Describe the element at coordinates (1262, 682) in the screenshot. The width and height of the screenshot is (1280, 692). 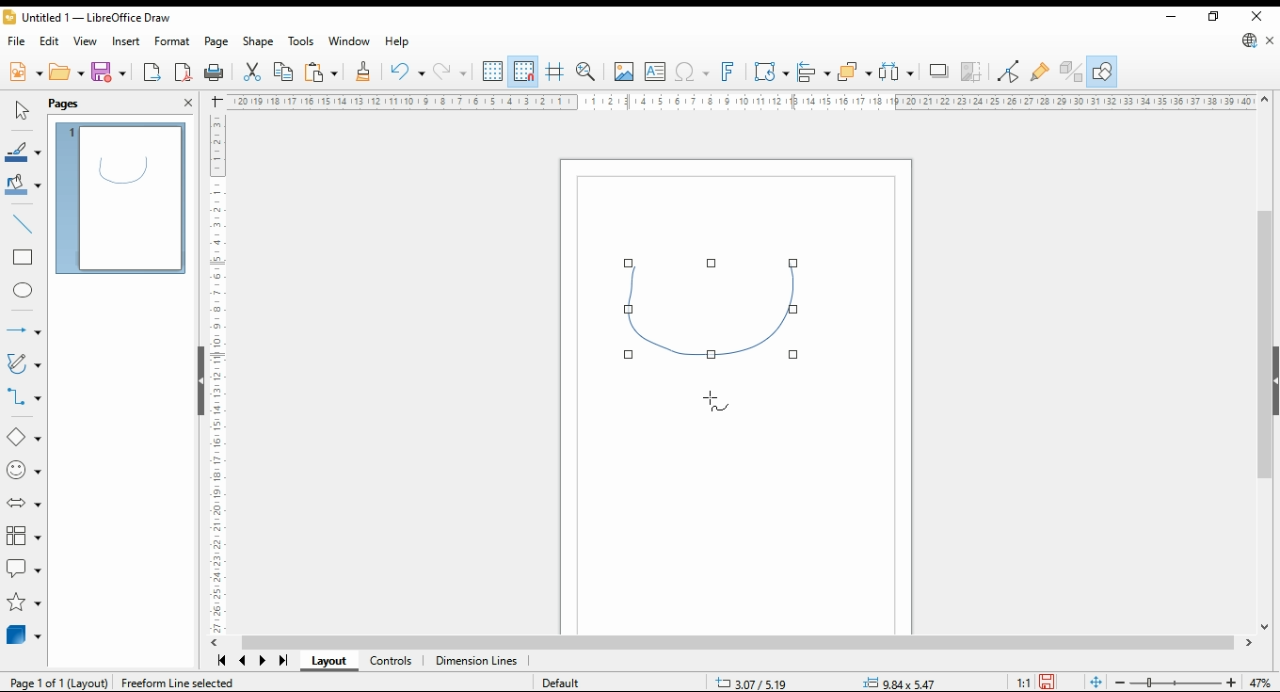
I see `zoom factor` at that location.